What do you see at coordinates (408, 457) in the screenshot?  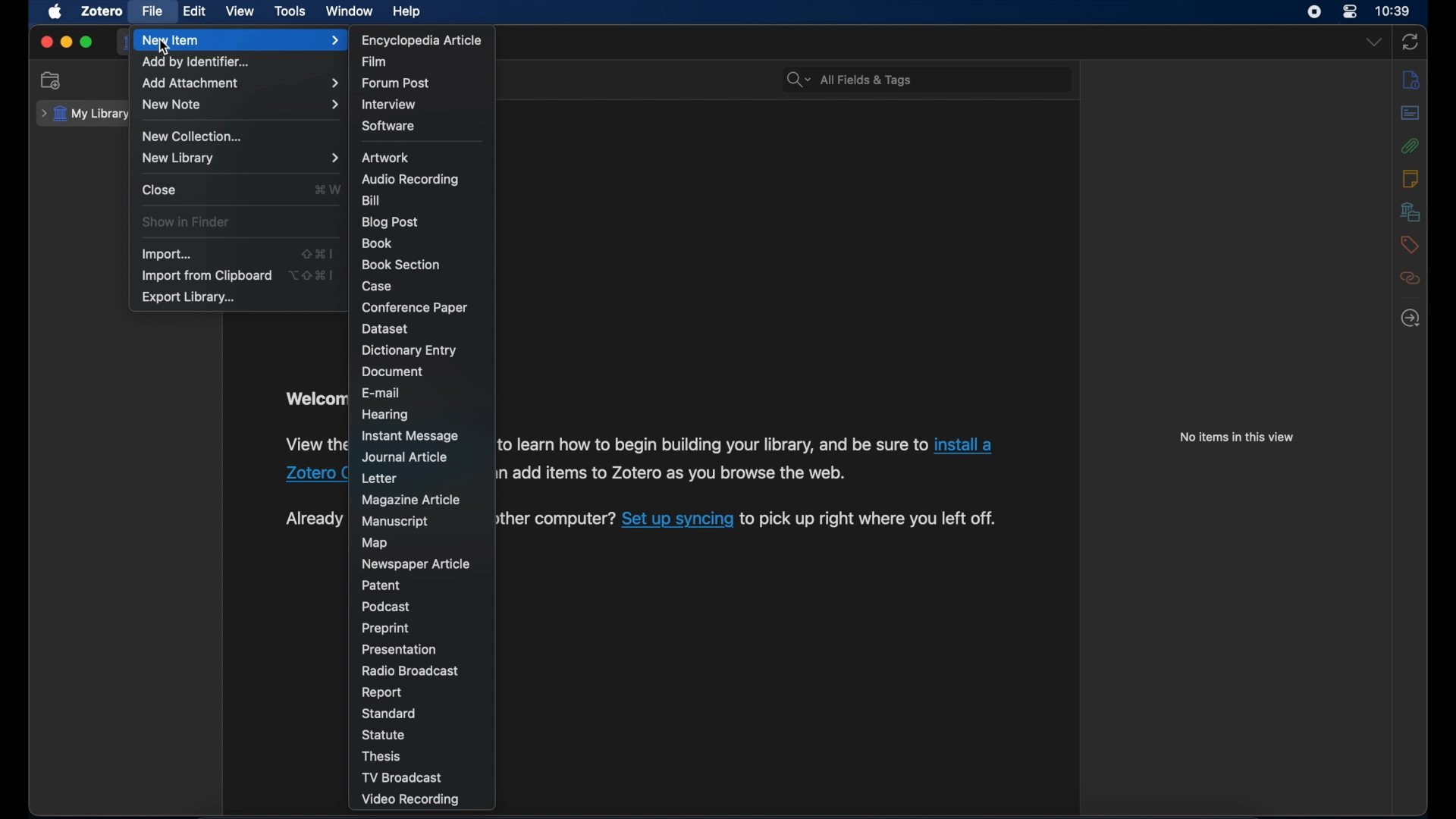 I see `journal article` at bounding box center [408, 457].